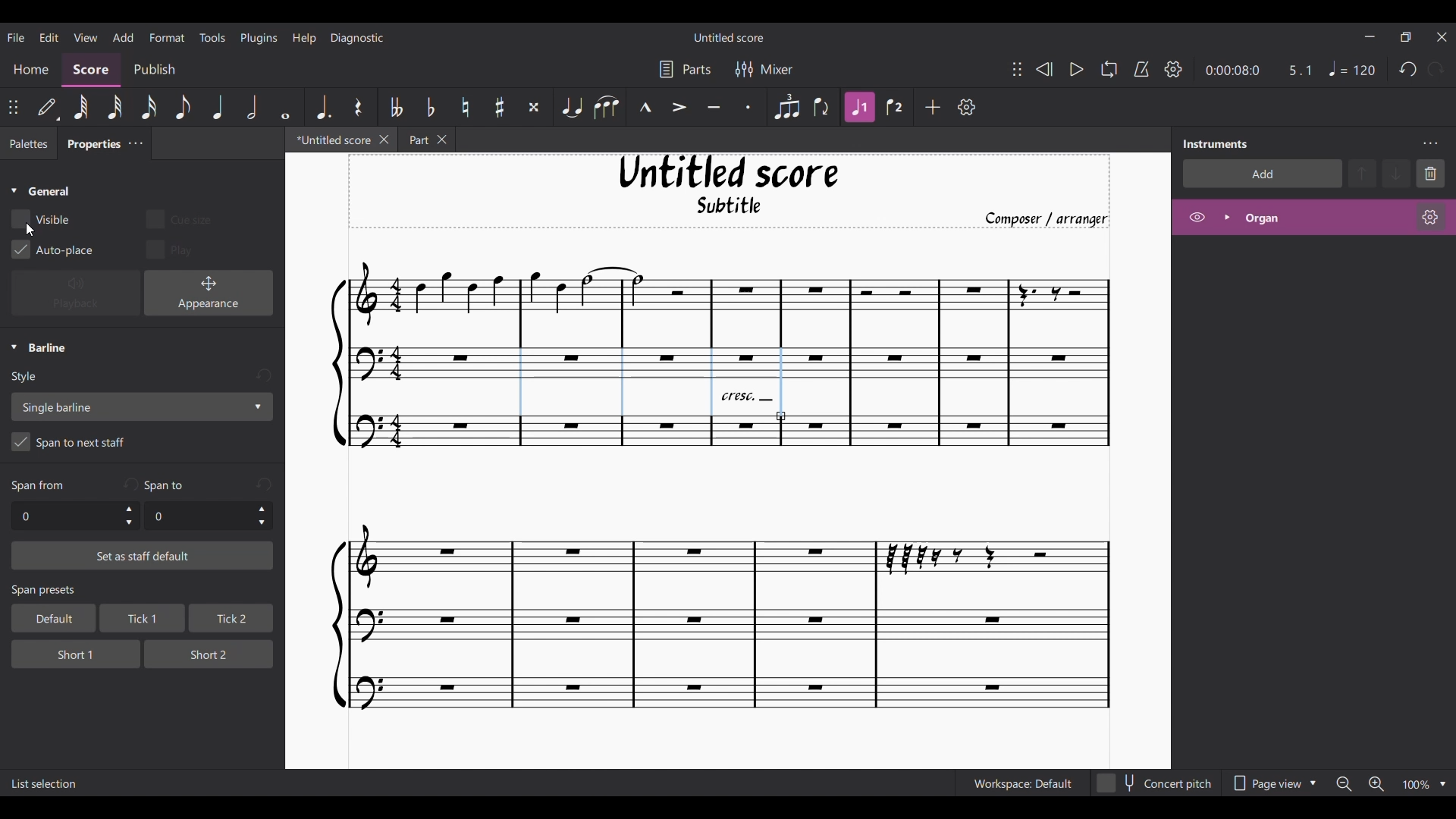  Describe the element at coordinates (722, 580) in the screenshot. I see `Current score` at that location.